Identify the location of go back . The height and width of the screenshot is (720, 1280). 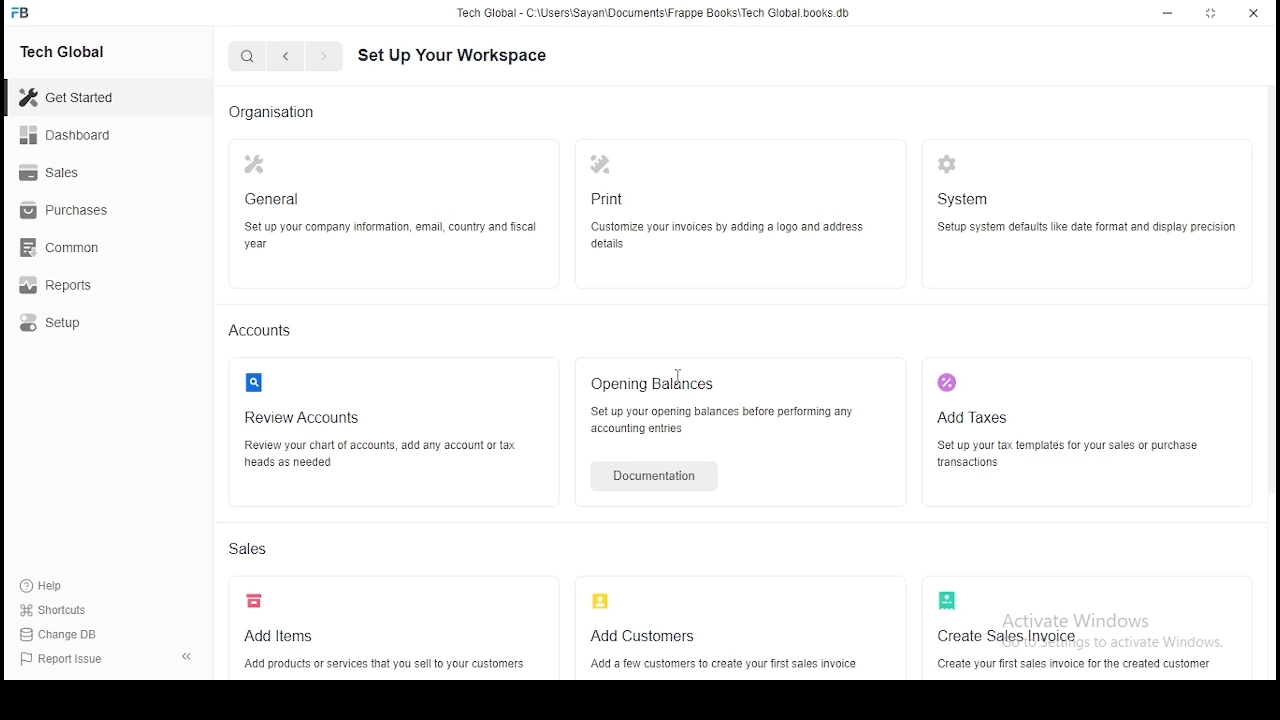
(287, 57).